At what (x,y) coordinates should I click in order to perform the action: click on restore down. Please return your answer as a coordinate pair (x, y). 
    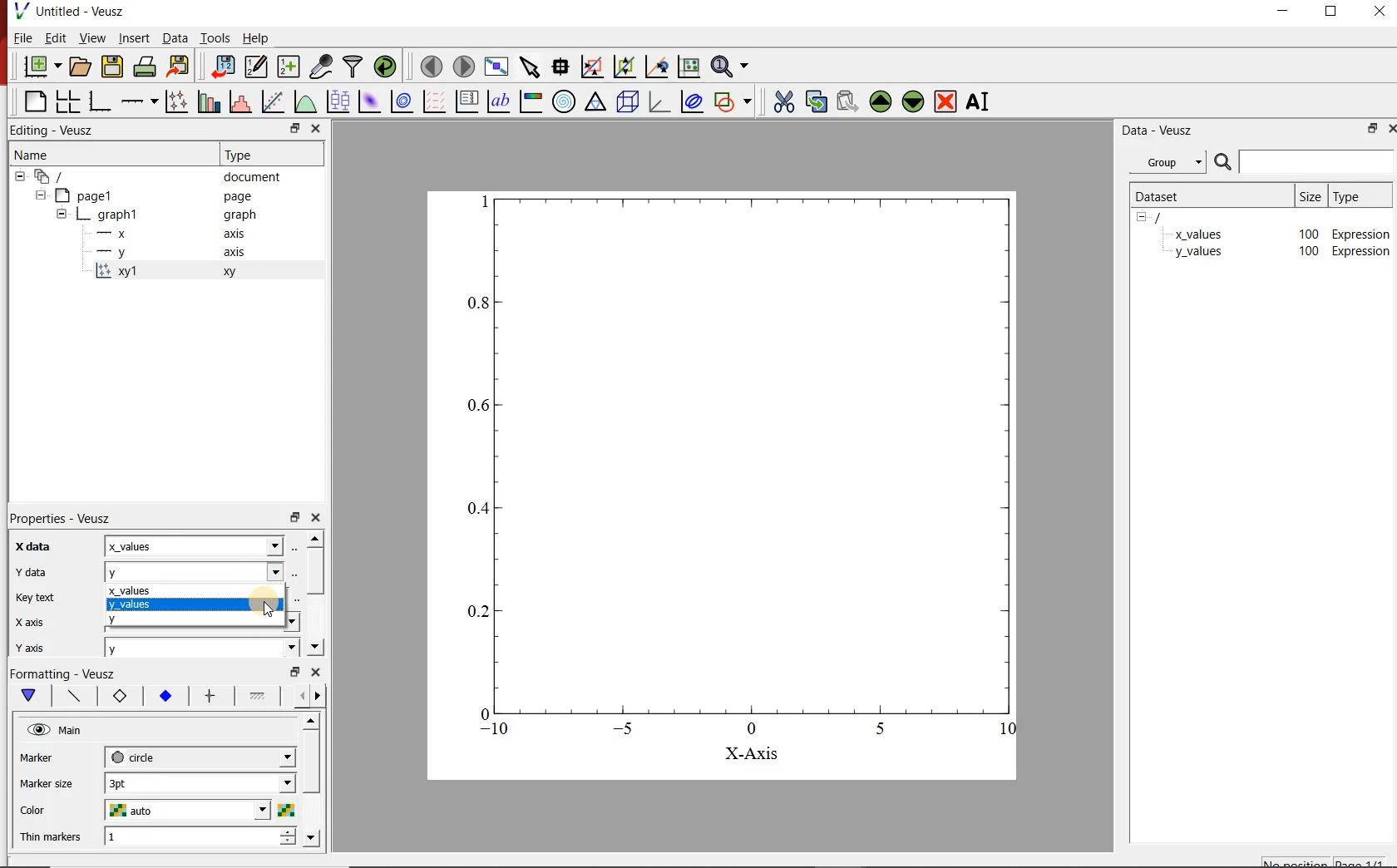
    Looking at the image, I should click on (1330, 12).